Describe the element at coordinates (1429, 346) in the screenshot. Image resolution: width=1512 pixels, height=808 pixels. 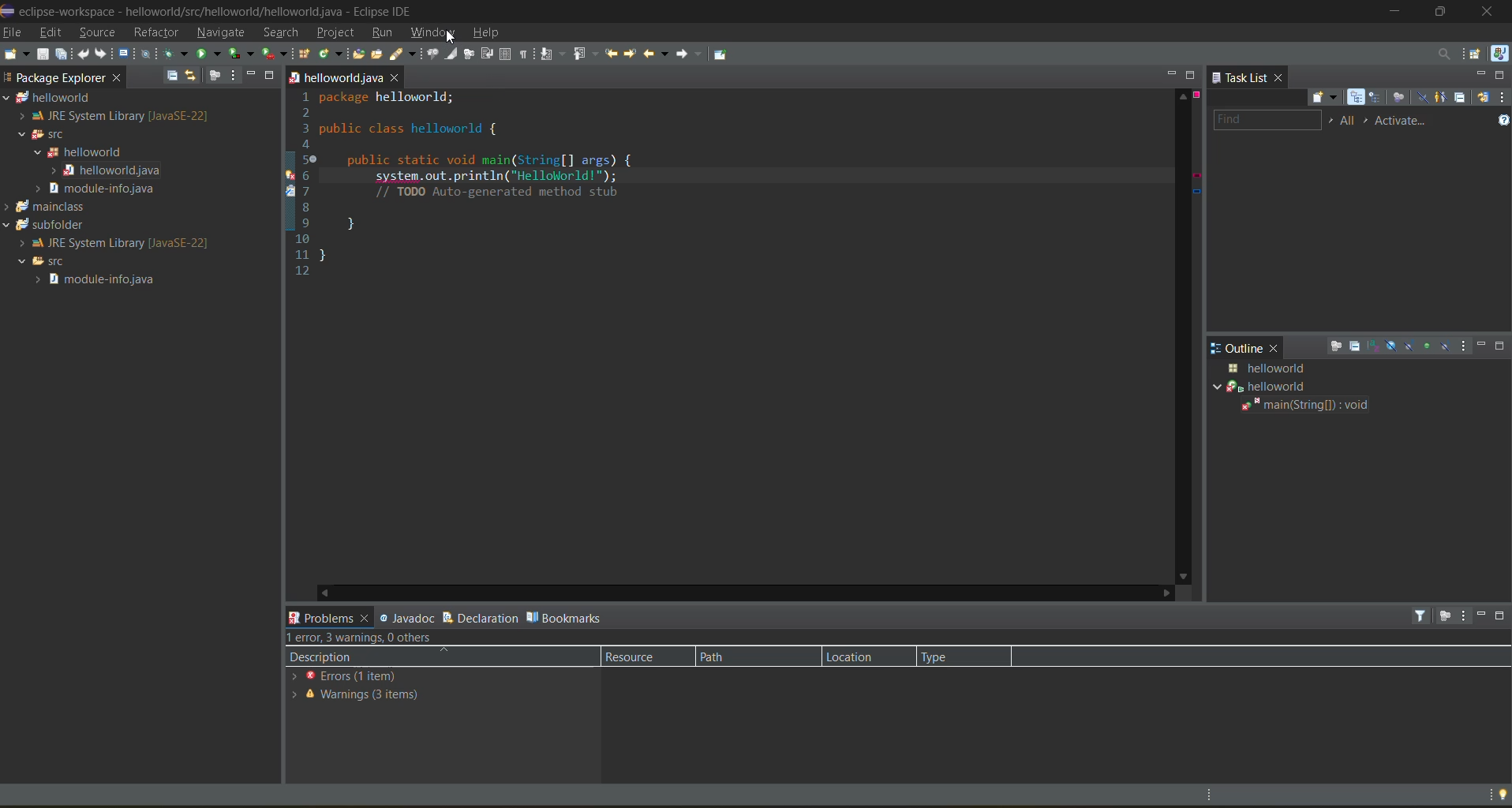
I see `hide non public members` at that location.